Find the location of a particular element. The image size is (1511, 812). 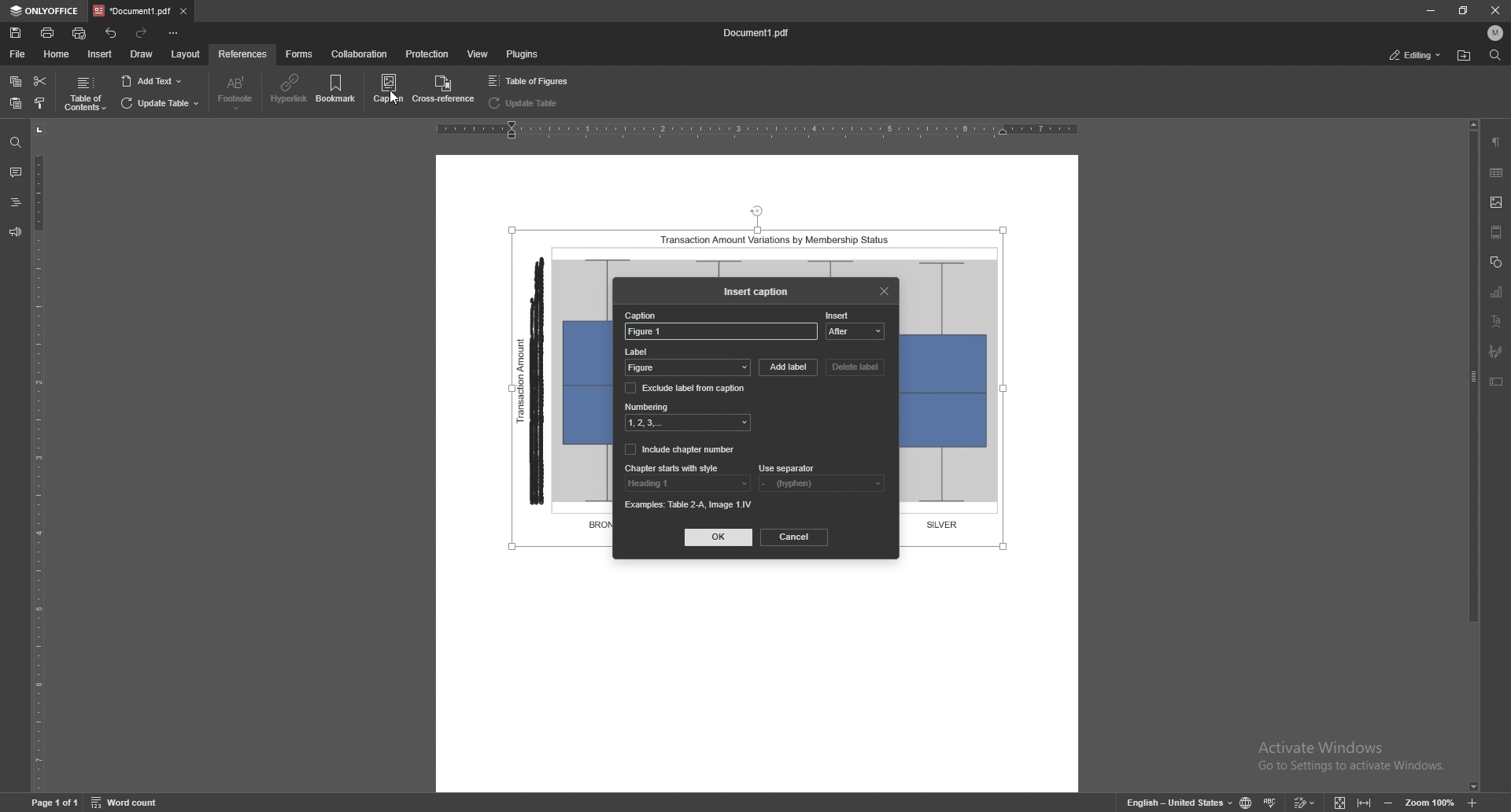

copy is located at coordinates (16, 82).